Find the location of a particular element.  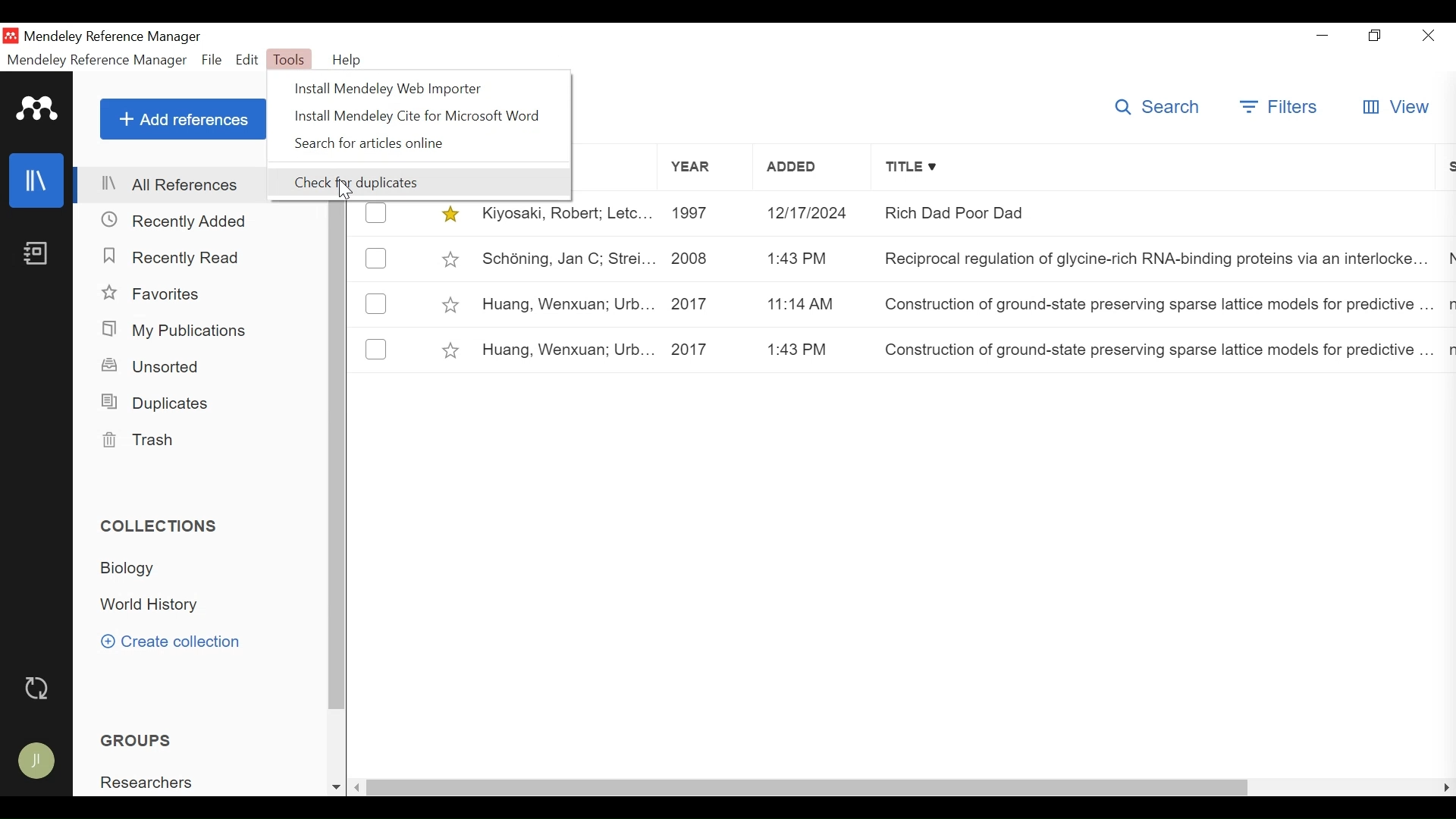

Collections is located at coordinates (162, 528).